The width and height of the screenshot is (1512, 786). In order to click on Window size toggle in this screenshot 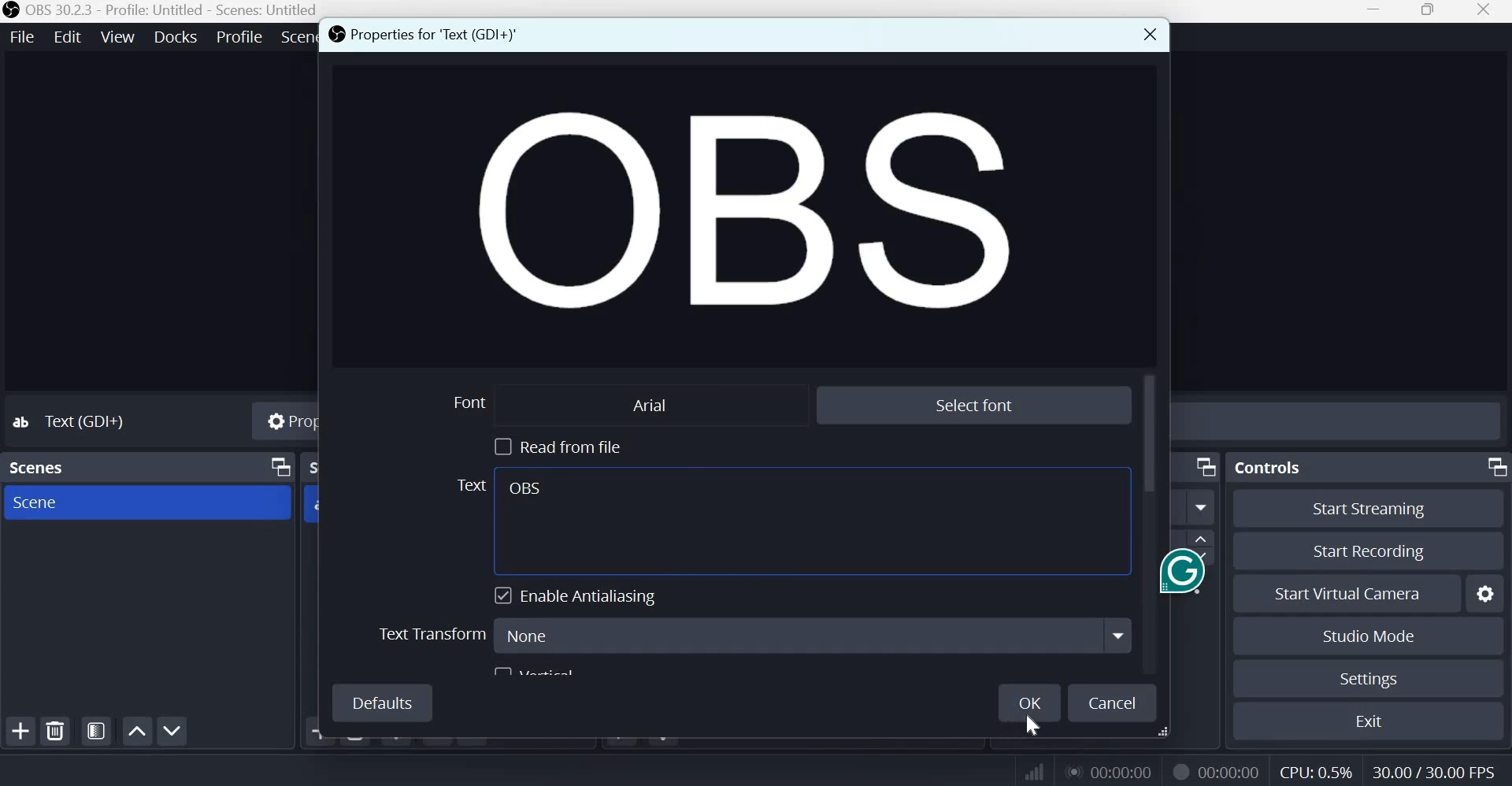, I will do `click(1429, 11)`.